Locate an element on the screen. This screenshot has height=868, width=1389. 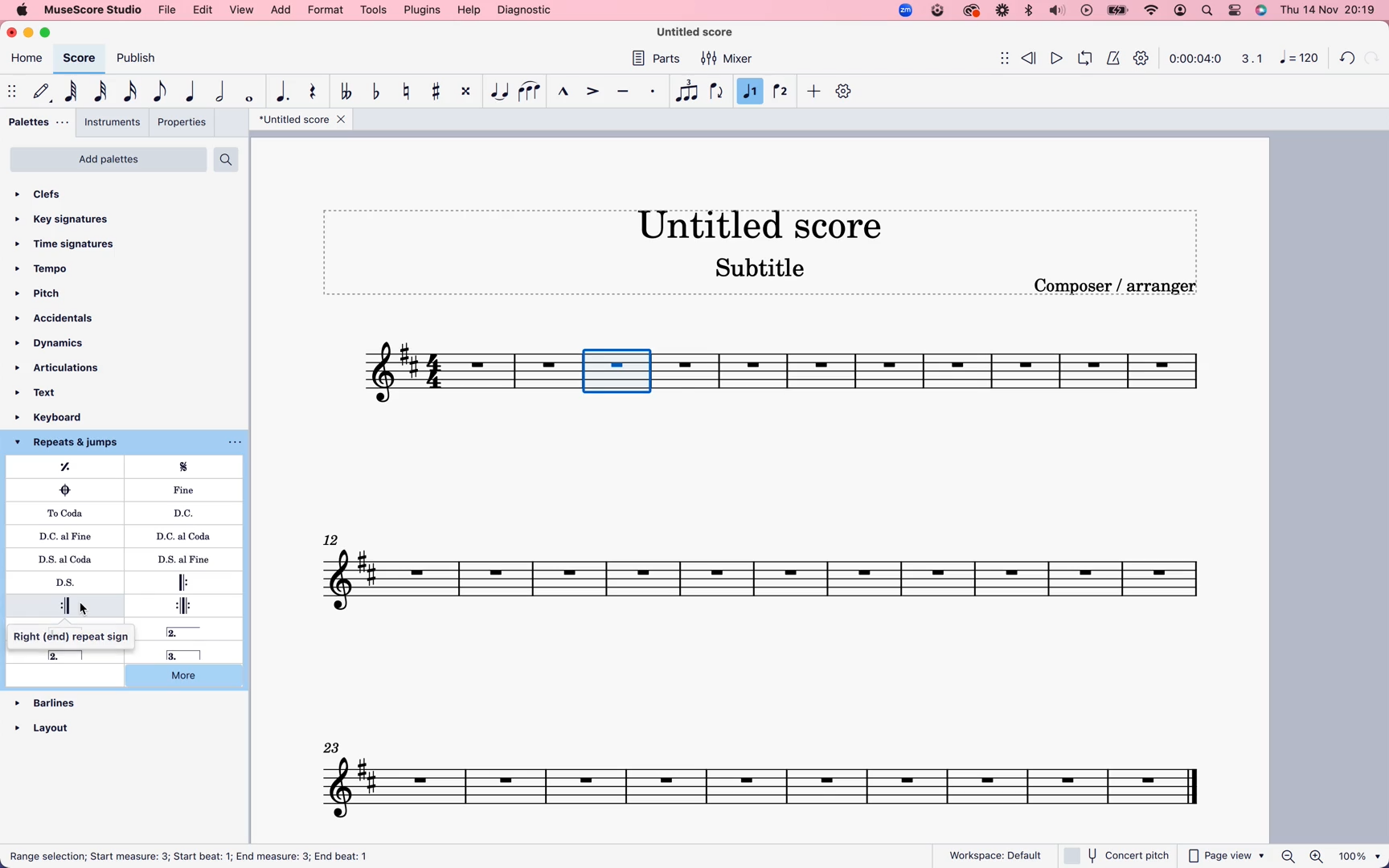
whole note is located at coordinates (252, 96).